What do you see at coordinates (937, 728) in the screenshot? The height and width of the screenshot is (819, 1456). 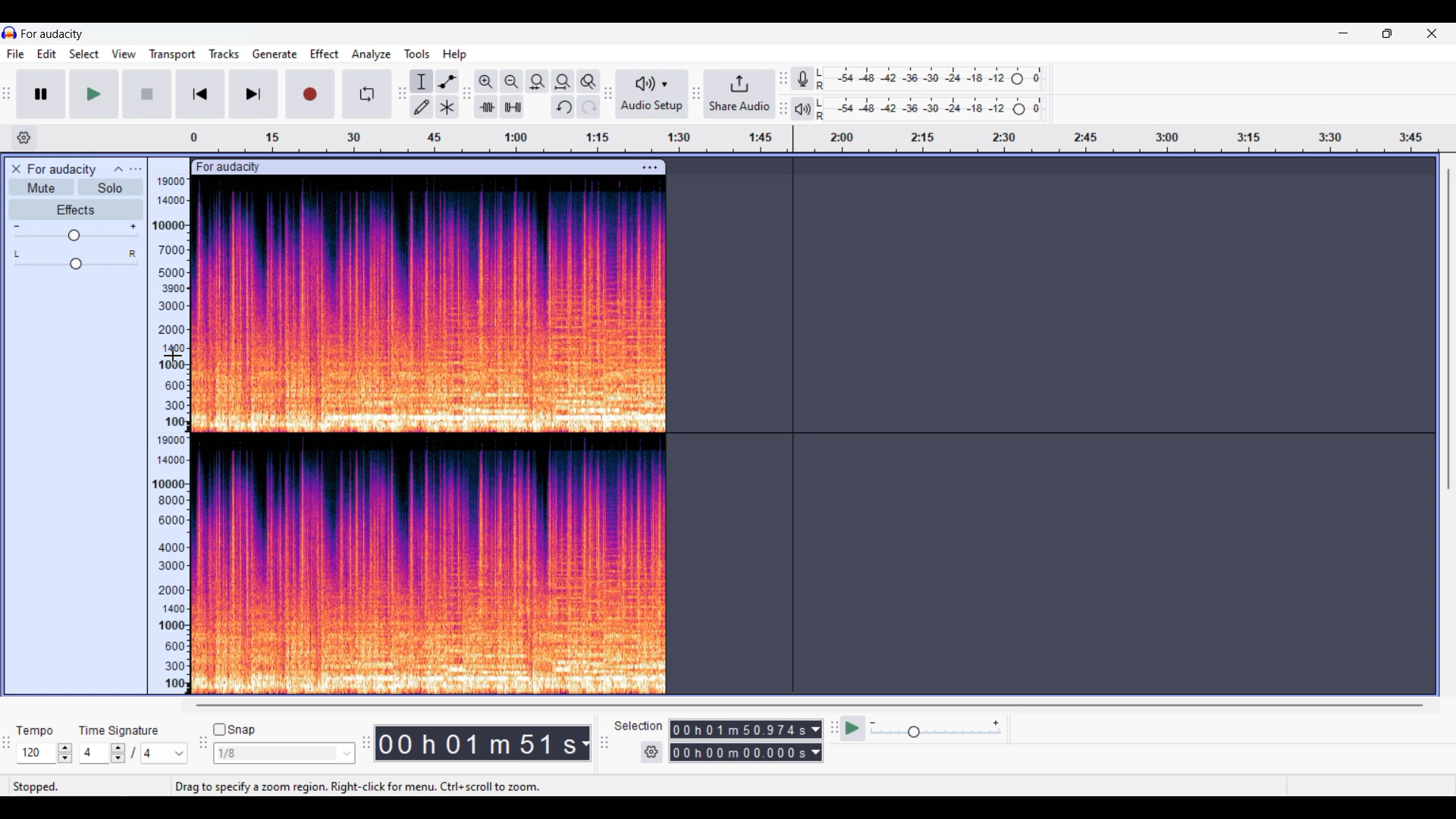 I see `Playback speed` at bounding box center [937, 728].